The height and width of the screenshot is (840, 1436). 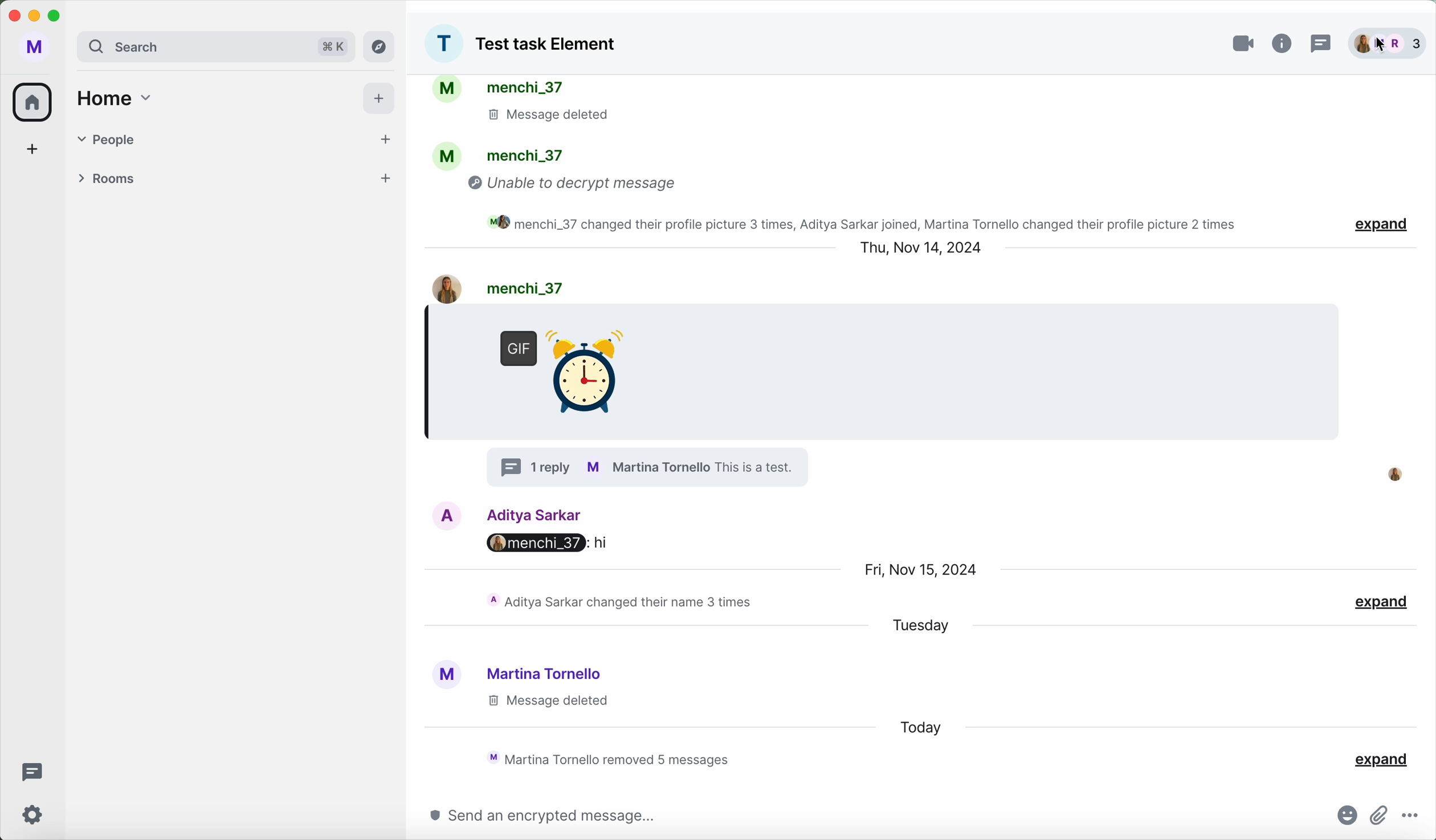 What do you see at coordinates (13, 15) in the screenshot?
I see `close program` at bounding box center [13, 15].